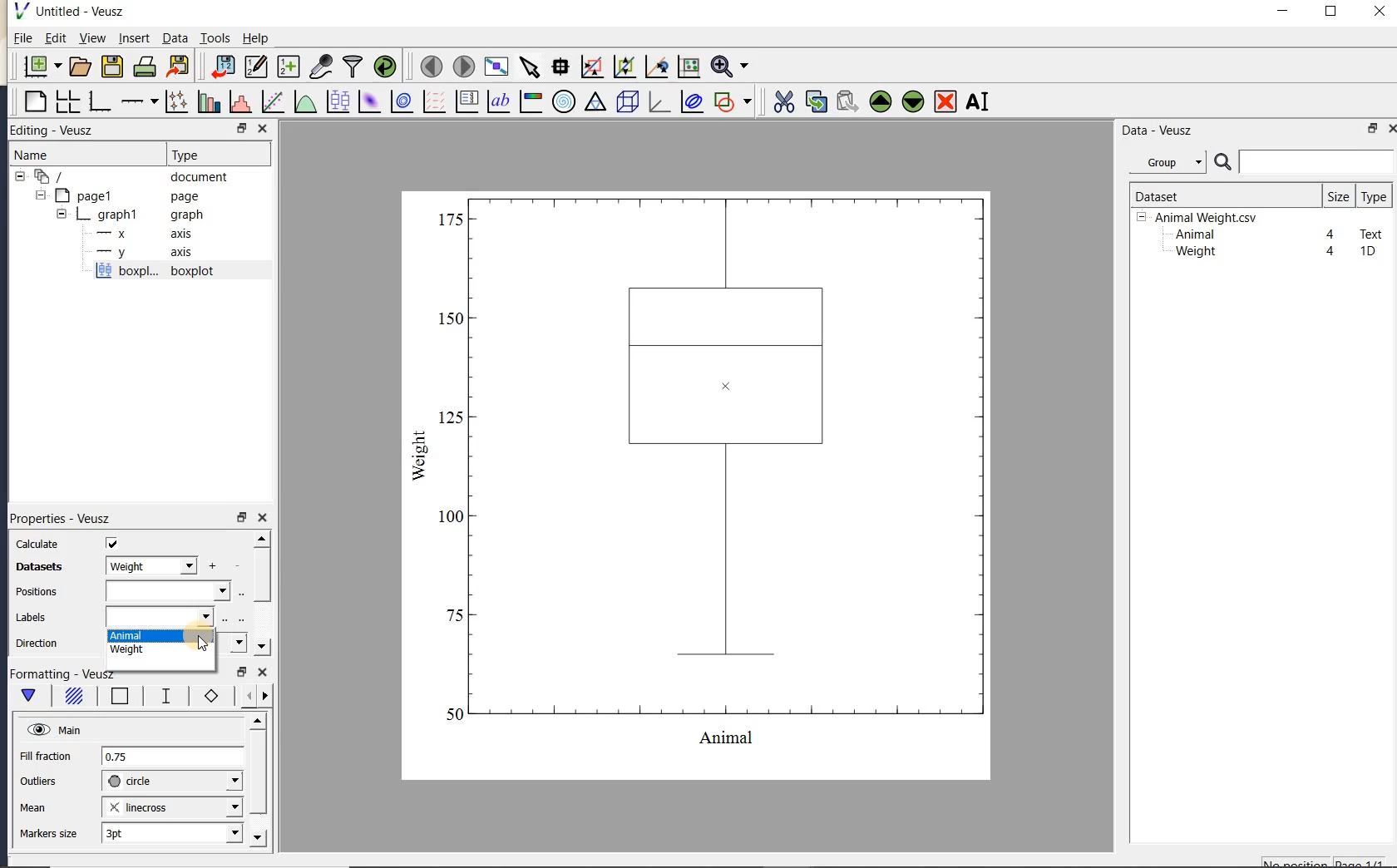  What do you see at coordinates (261, 594) in the screenshot?
I see `scrollbar` at bounding box center [261, 594].